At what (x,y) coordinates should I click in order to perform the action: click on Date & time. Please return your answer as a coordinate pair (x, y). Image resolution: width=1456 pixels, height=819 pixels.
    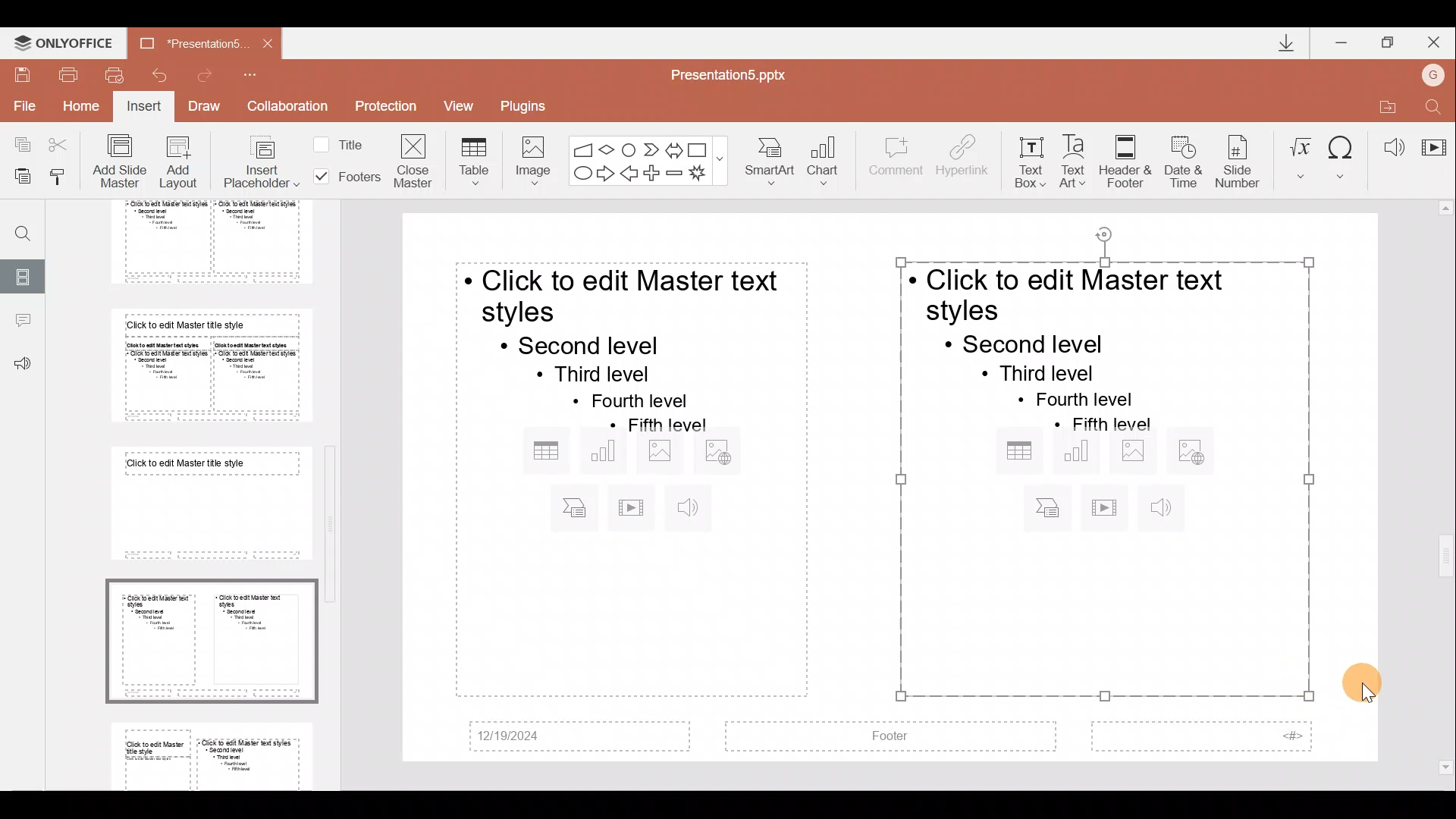
    Looking at the image, I should click on (1180, 158).